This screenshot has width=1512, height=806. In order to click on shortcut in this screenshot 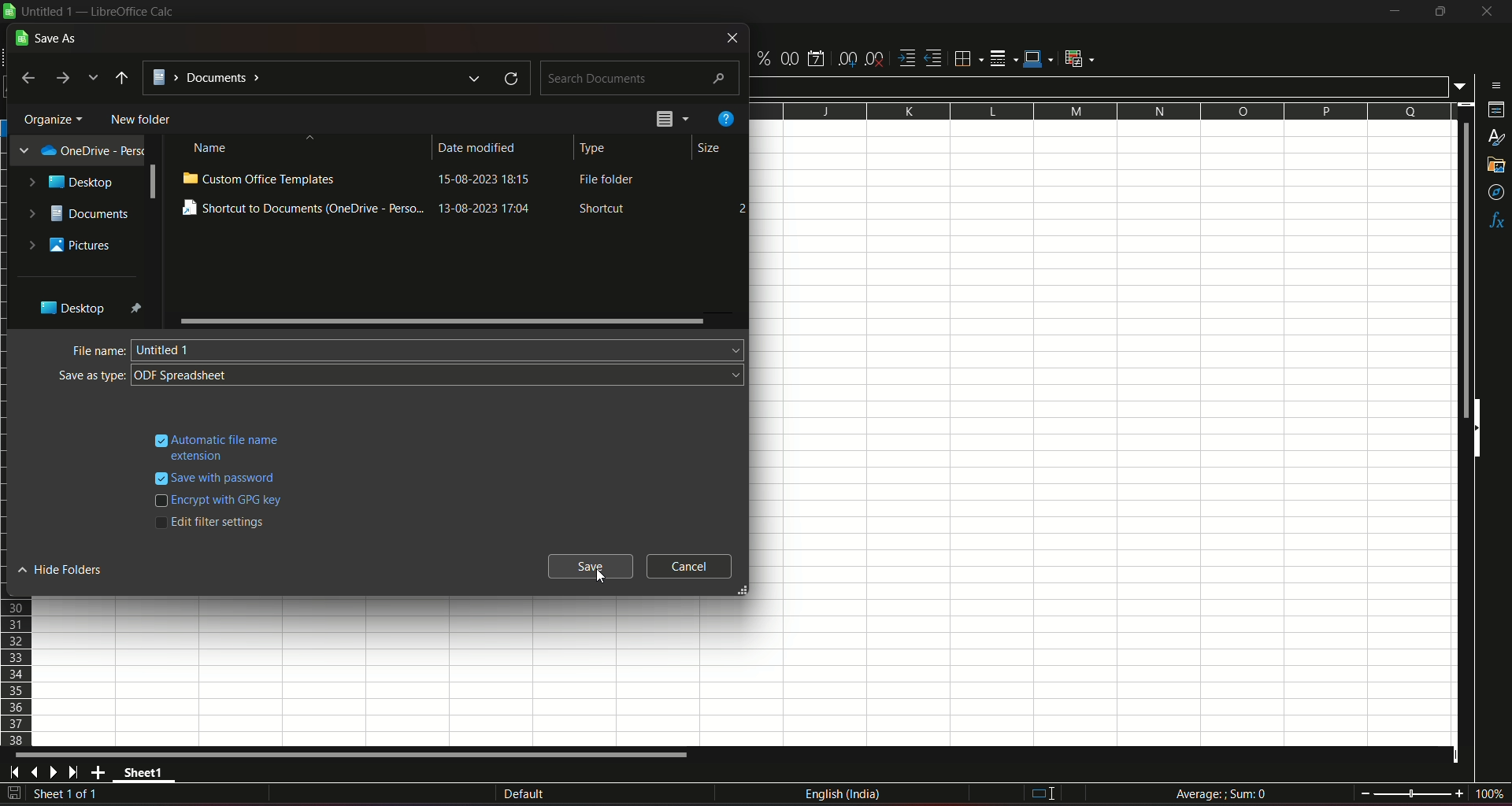, I will do `click(604, 209)`.